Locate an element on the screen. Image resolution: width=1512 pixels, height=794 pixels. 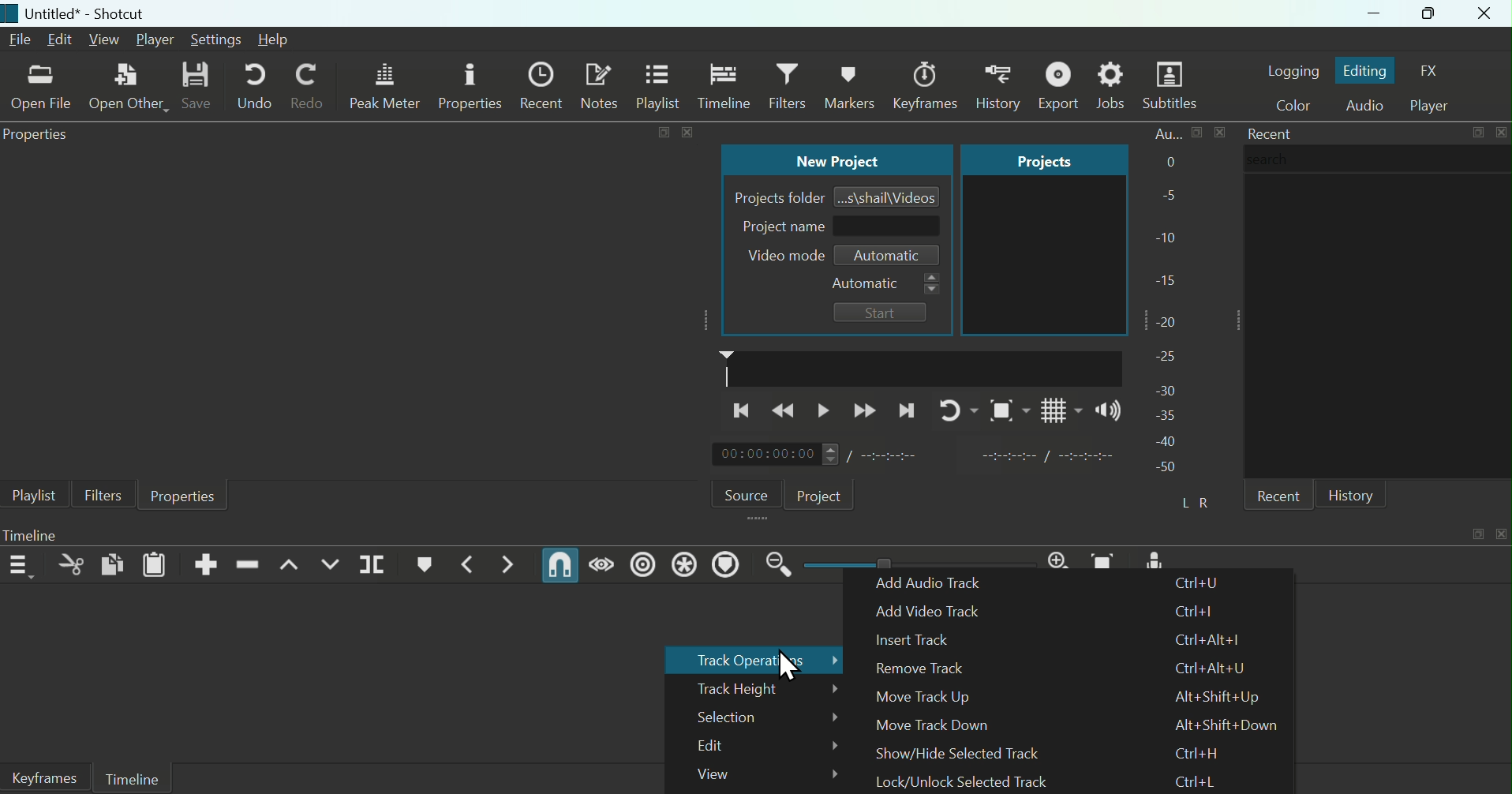
Next is located at coordinates (908, 408).